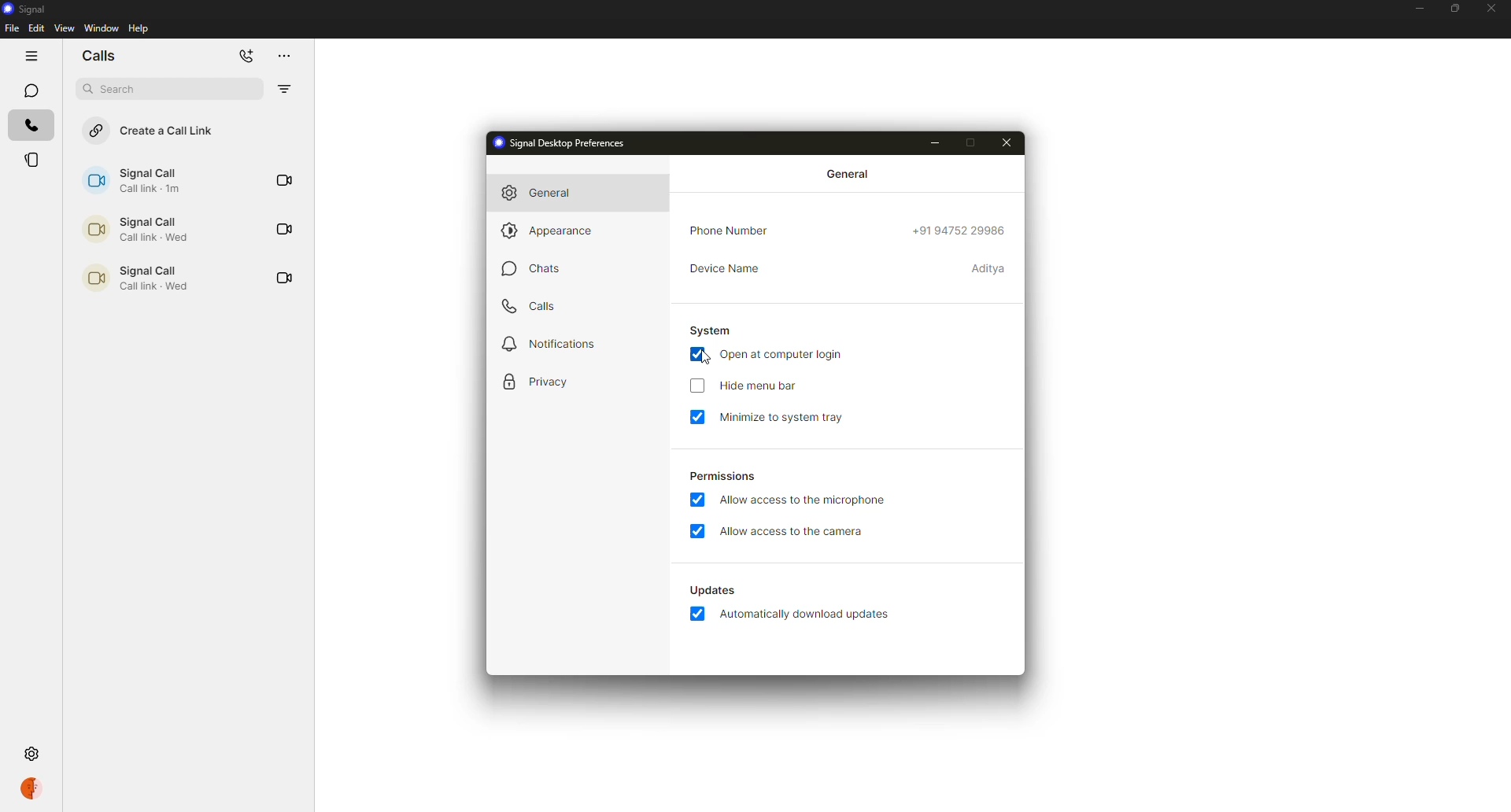  I want to click on chats, so click(537, 267).